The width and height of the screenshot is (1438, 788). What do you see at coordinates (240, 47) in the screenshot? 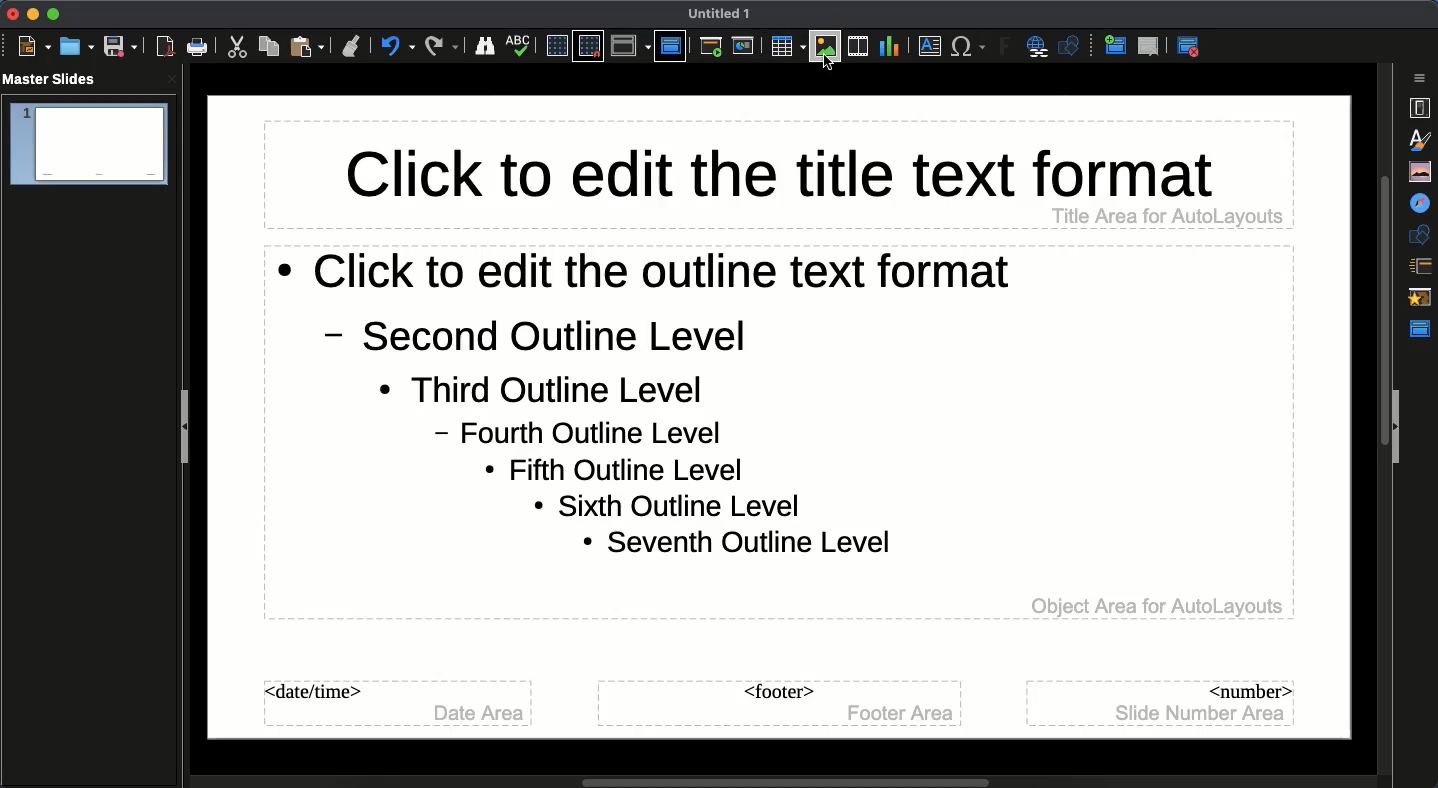
I see `Cut` at bounding box center [240, 47].